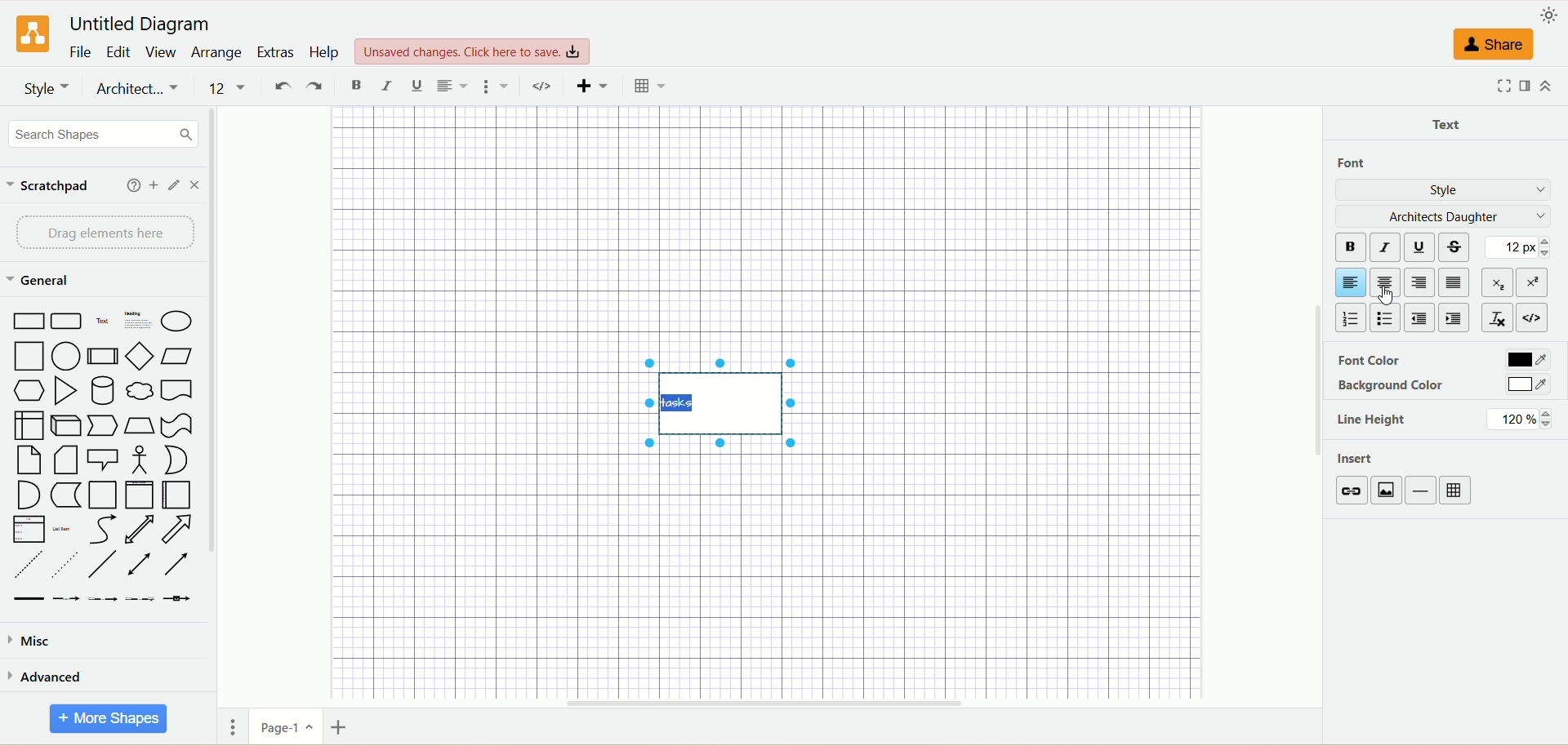  I want to click on Line, so click(102, 566).